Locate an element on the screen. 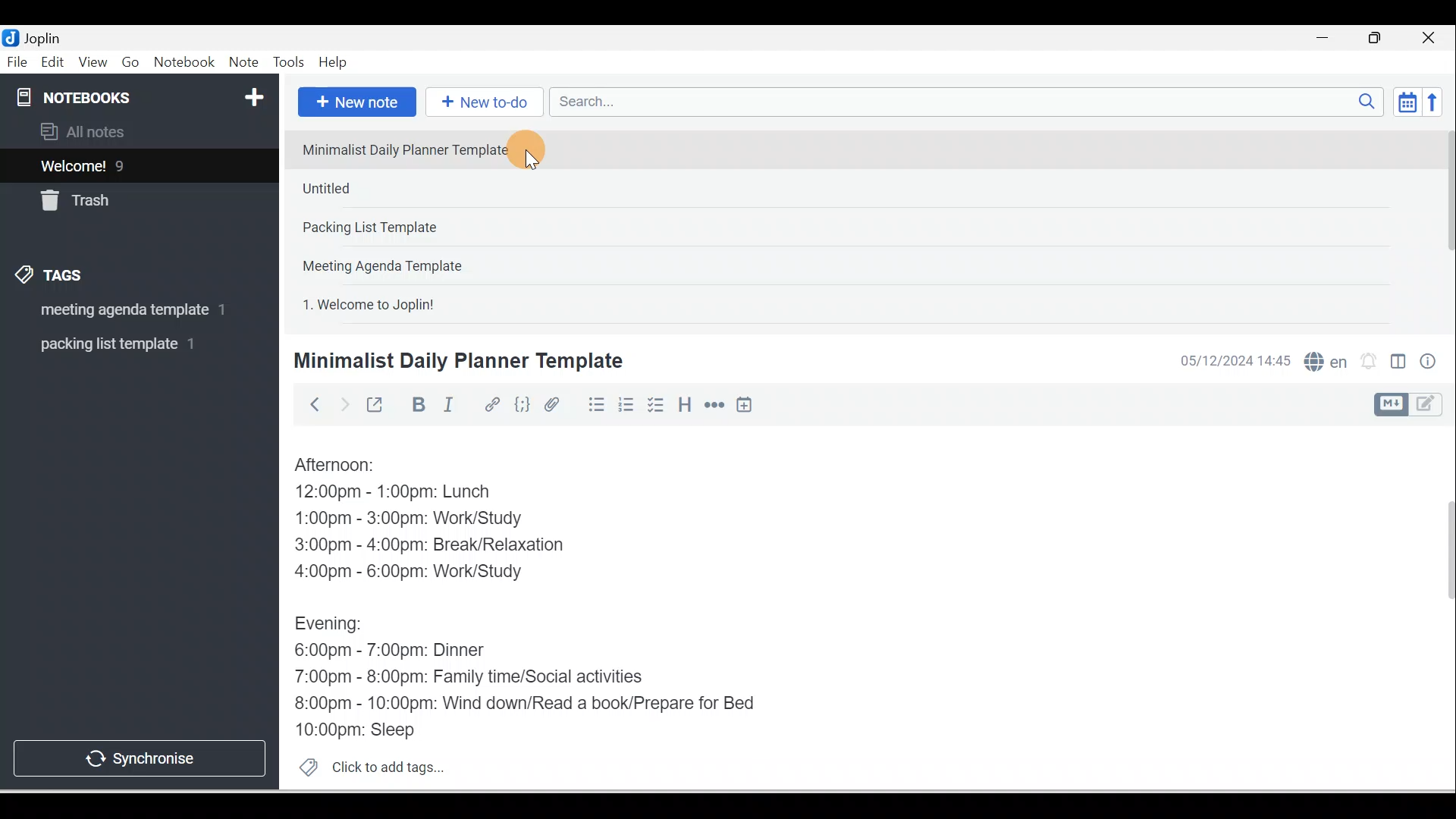 Image resolution: width=1456 pixels, height=819 pixels. Back is located at coordinates (308, 404).